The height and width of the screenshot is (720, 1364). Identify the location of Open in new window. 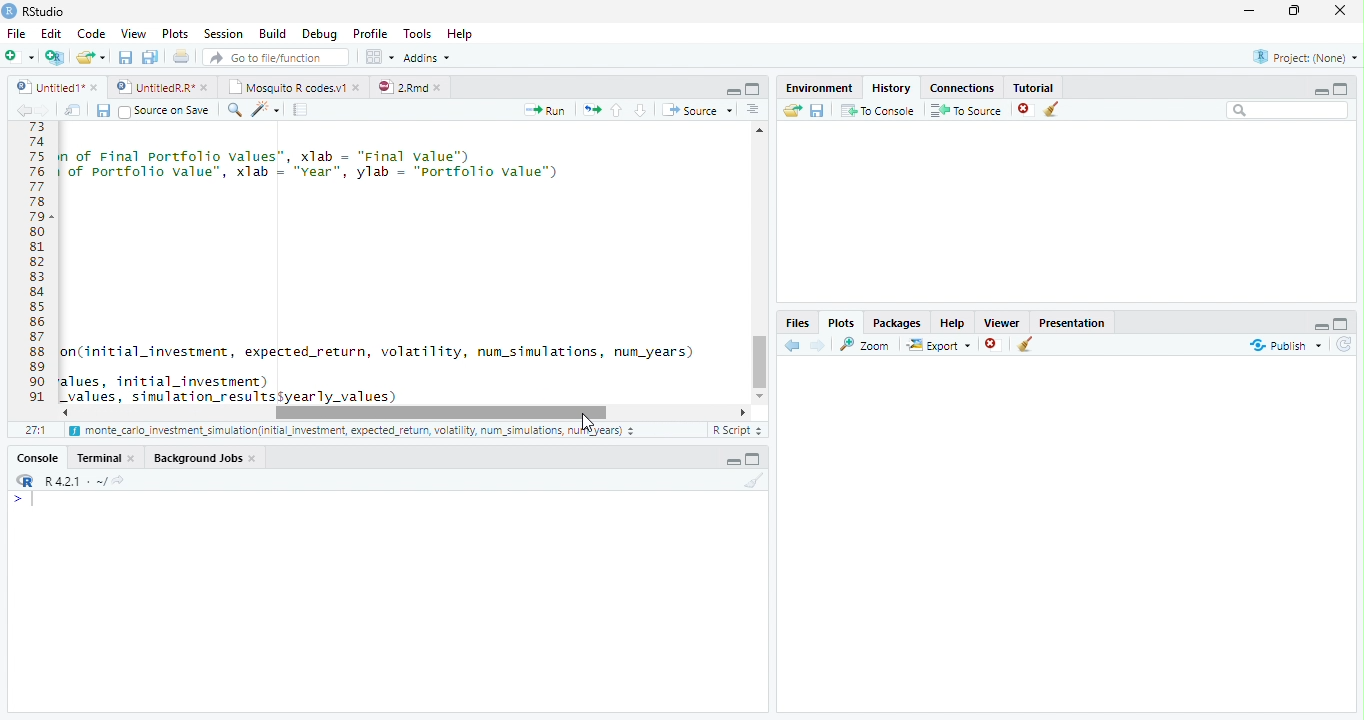
(73, 110).